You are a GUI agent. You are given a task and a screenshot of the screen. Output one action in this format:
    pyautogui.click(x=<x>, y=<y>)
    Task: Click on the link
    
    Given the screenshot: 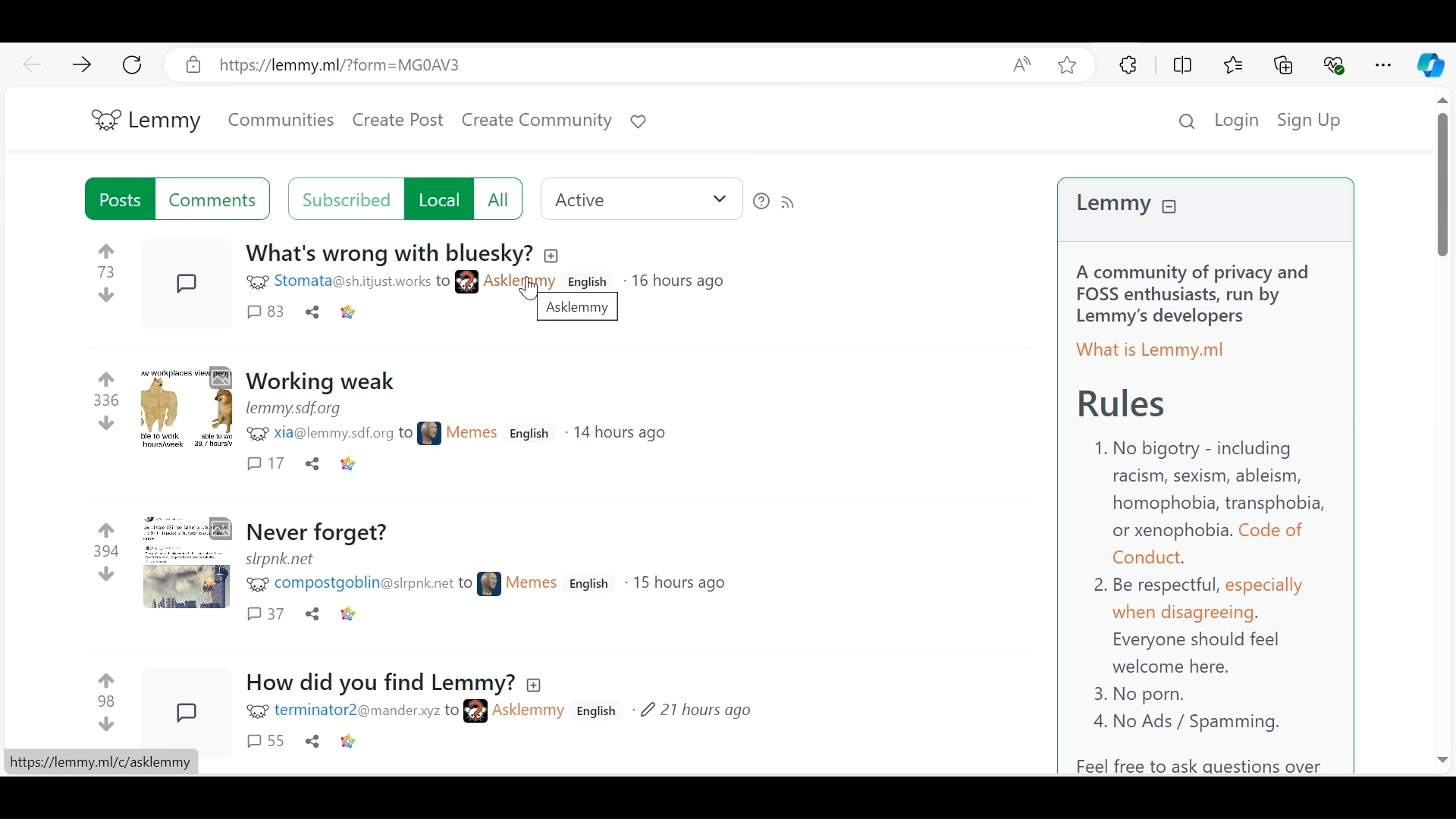 What is the action you would take?
    pyautogui.click(x=350, y=312)
    